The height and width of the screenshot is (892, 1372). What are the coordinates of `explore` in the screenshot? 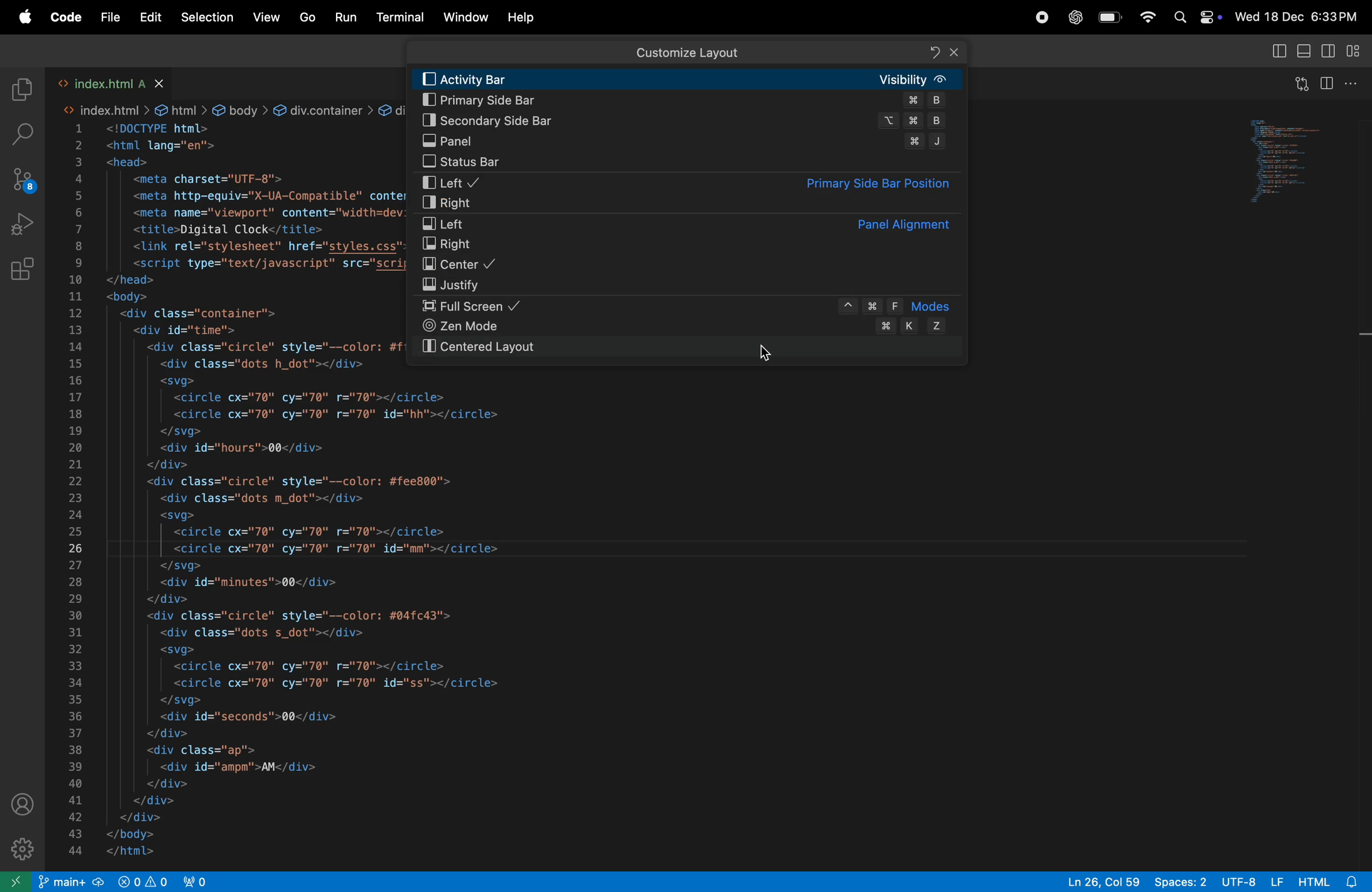 It's located at (24, 90).